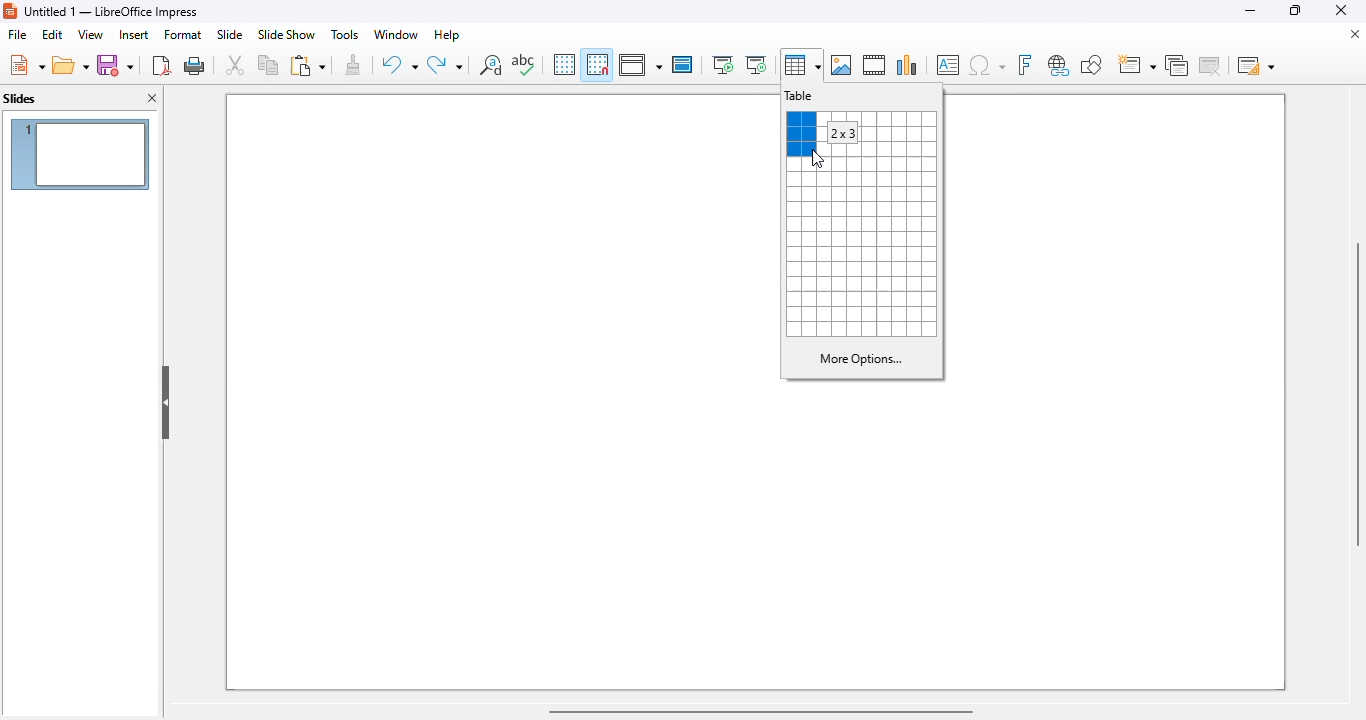 This screenshot has height=720, width=1366. Describe the element at coordinates (268, 64) in the screenshot. I see `copy` at that location.